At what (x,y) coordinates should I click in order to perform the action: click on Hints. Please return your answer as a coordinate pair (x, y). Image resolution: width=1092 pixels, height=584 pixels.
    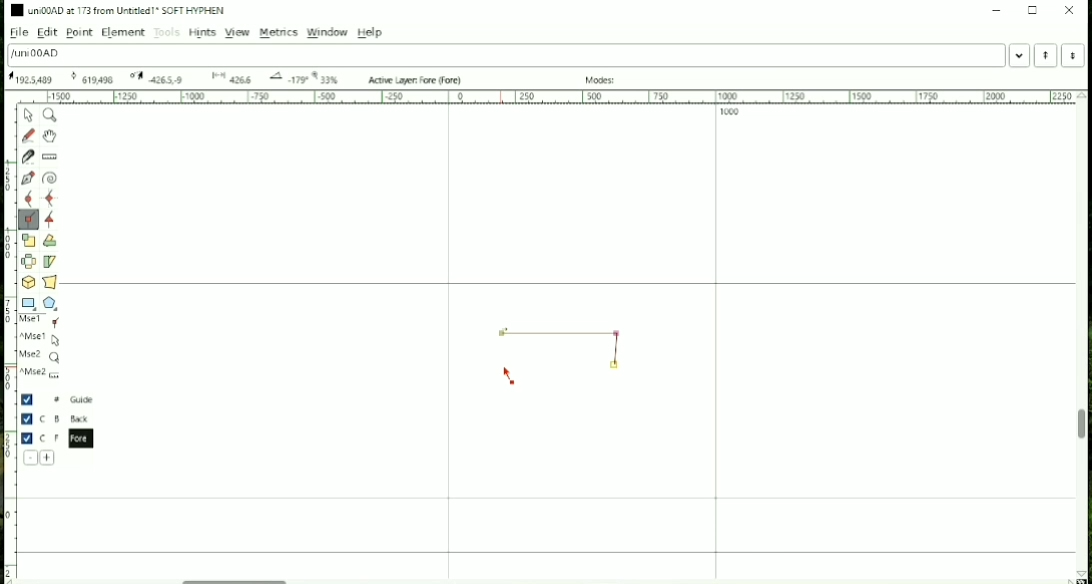
    Looking at the image, I should click on (202, 34).